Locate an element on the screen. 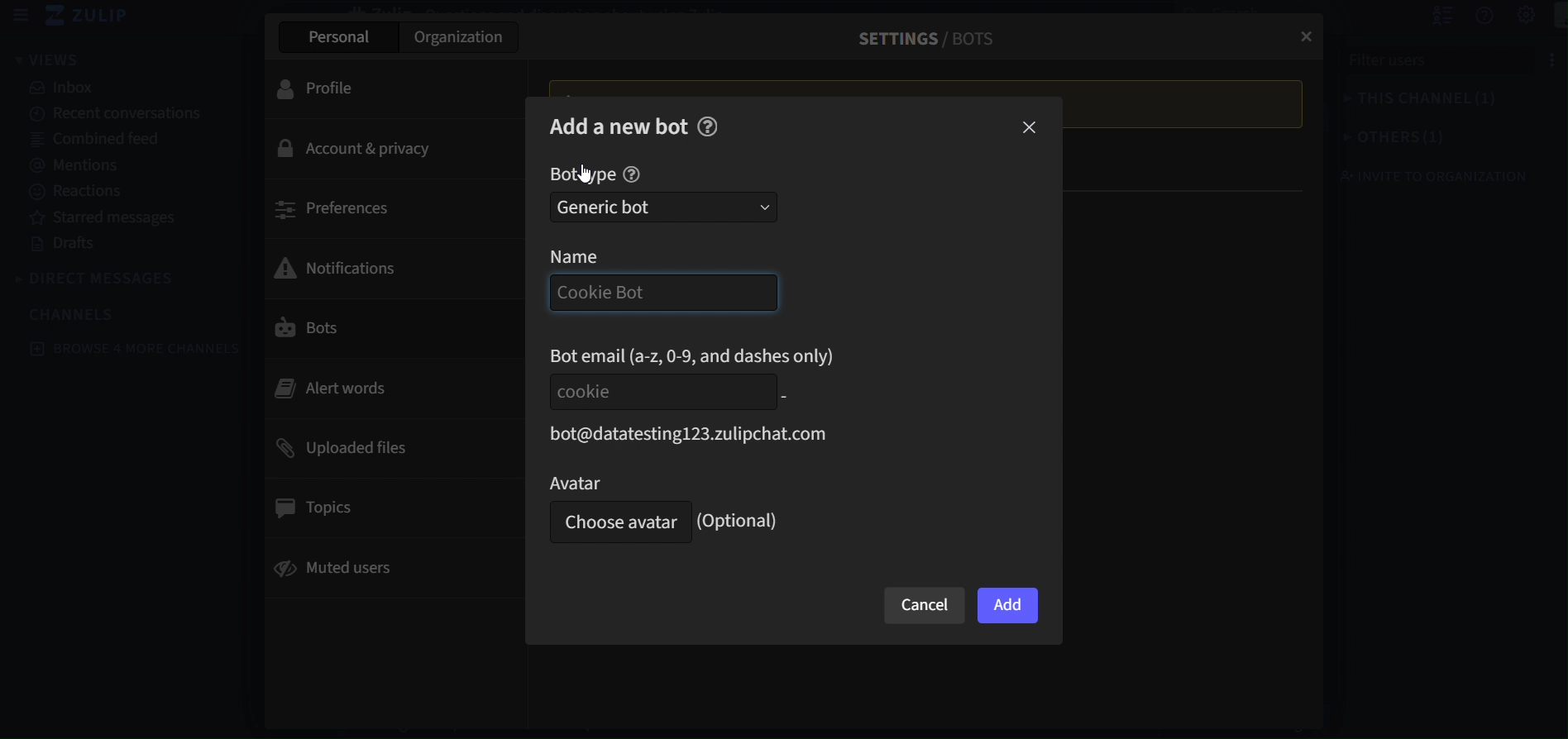  Cookie Bot is located at coordinates (658, 293).